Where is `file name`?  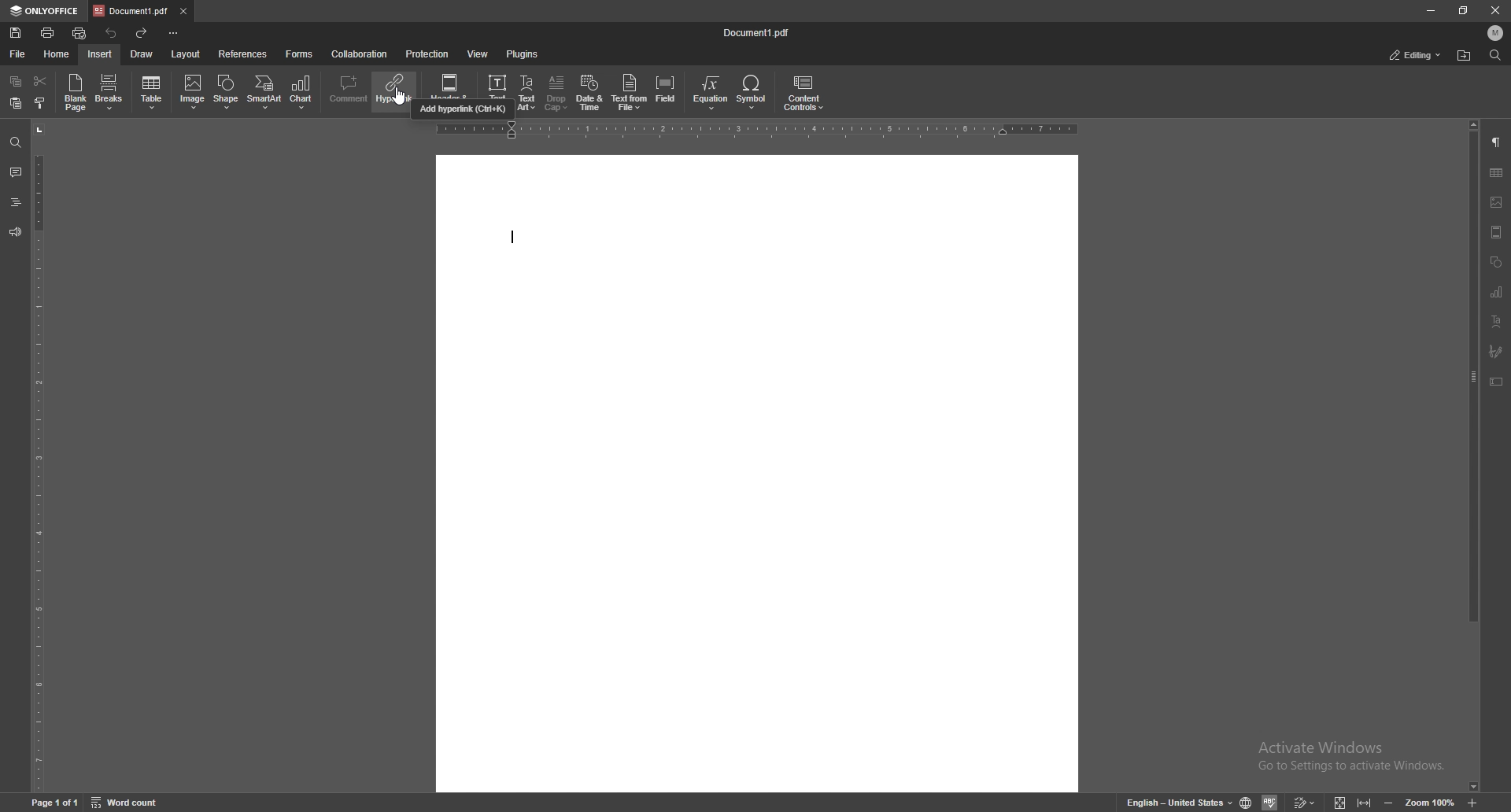
file name is located at coordinates (756, 32).